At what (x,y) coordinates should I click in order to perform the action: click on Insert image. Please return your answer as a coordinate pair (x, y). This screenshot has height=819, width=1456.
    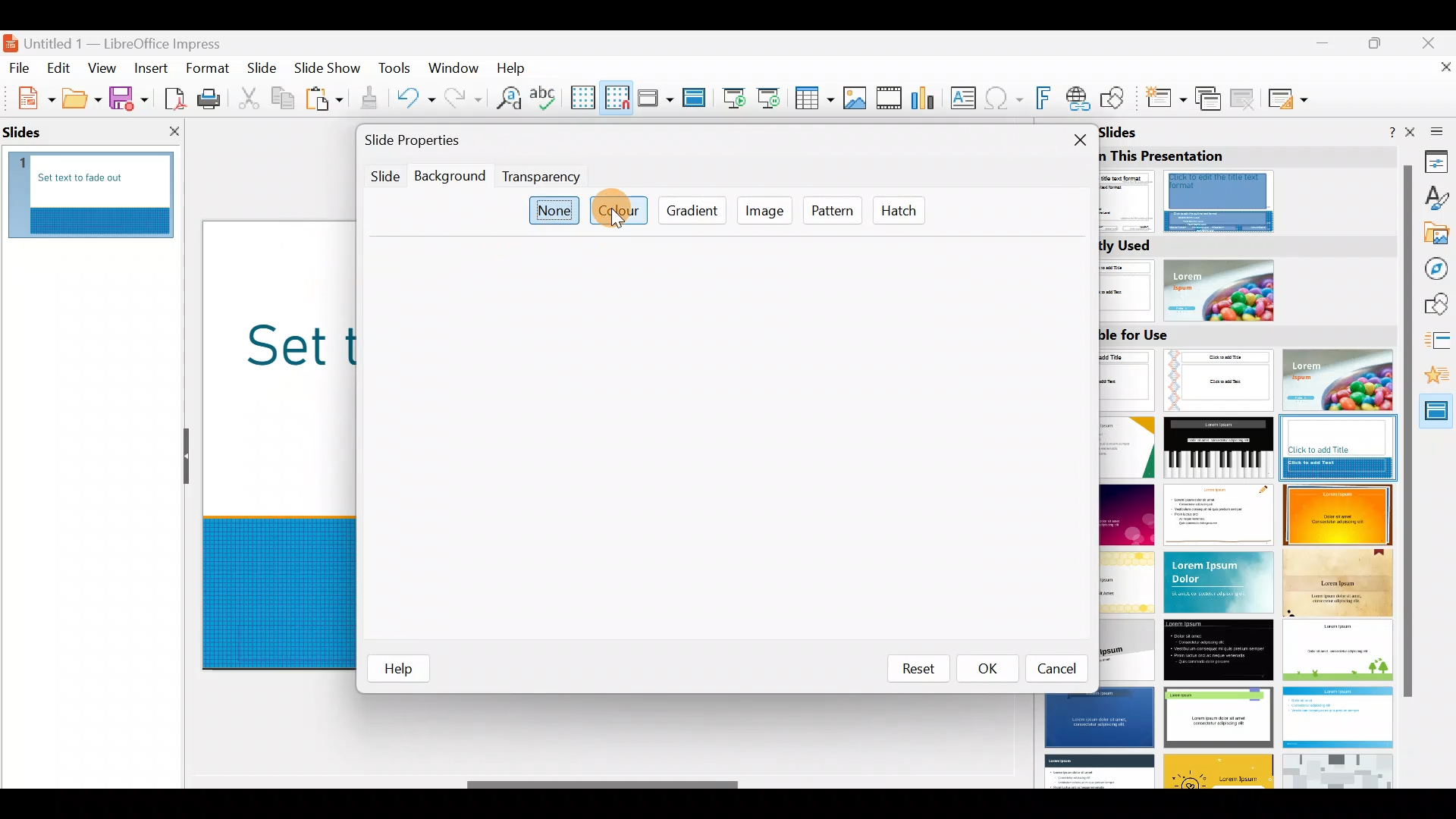
    Looking at the image, I should click on (858, 99).